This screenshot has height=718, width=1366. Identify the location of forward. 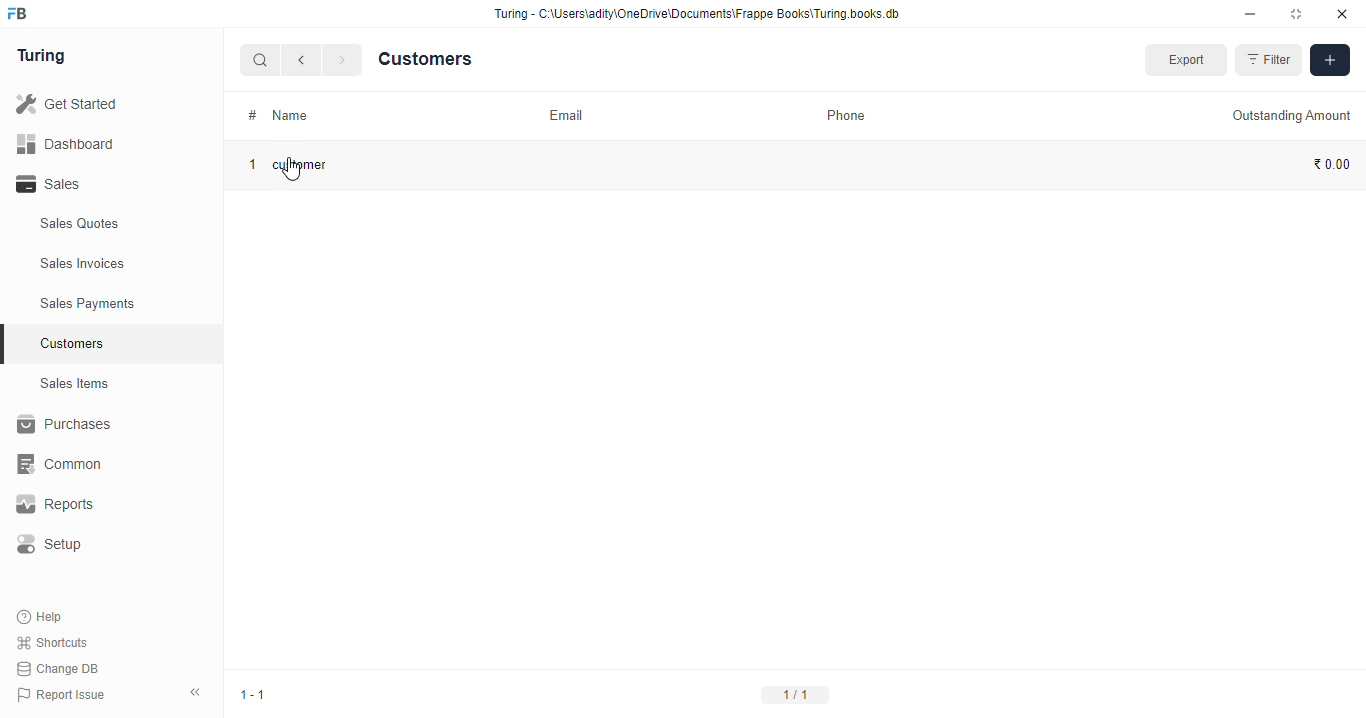
(344, 62).